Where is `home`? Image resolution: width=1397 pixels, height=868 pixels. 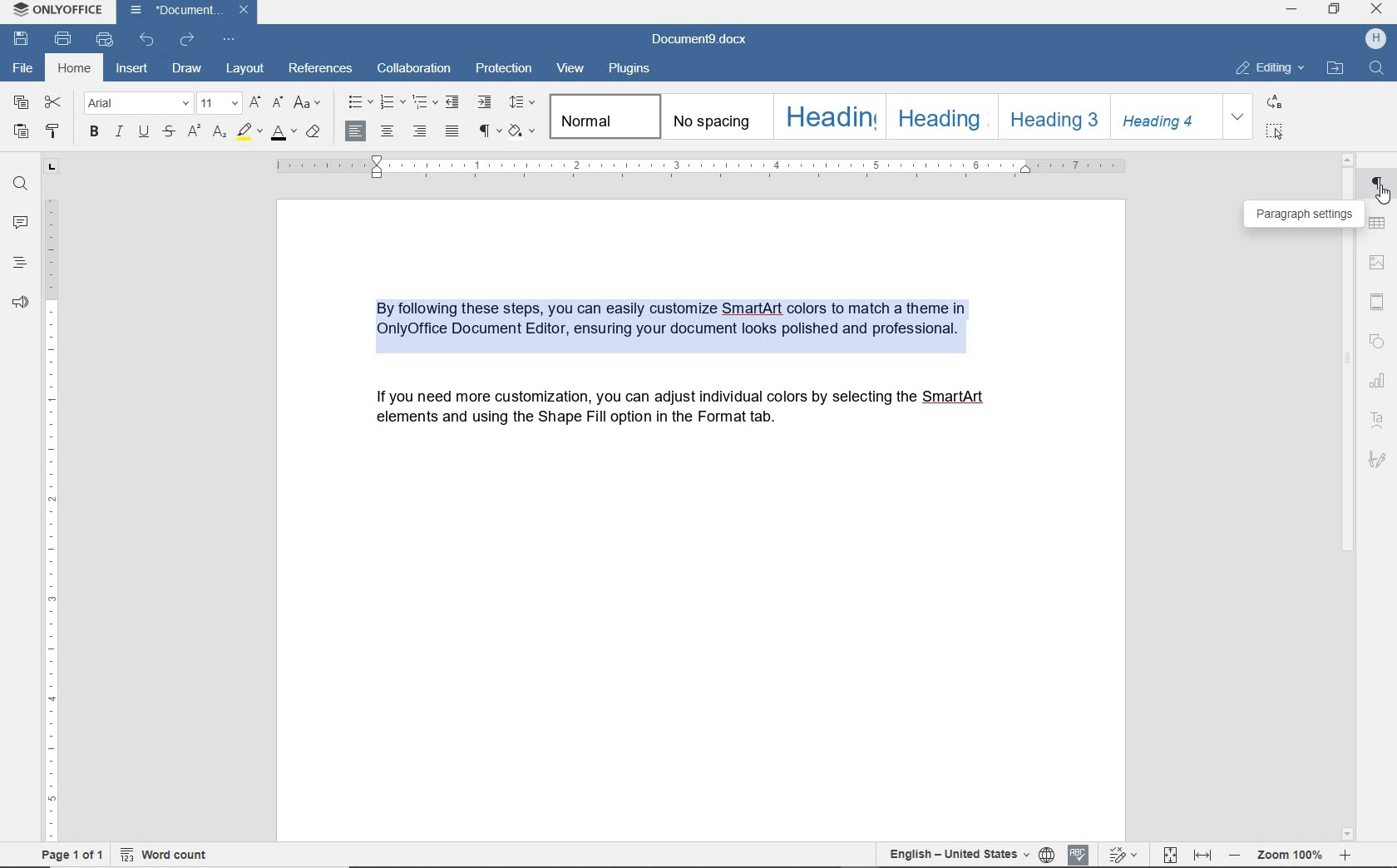 home is located at coordinates (72, 67).